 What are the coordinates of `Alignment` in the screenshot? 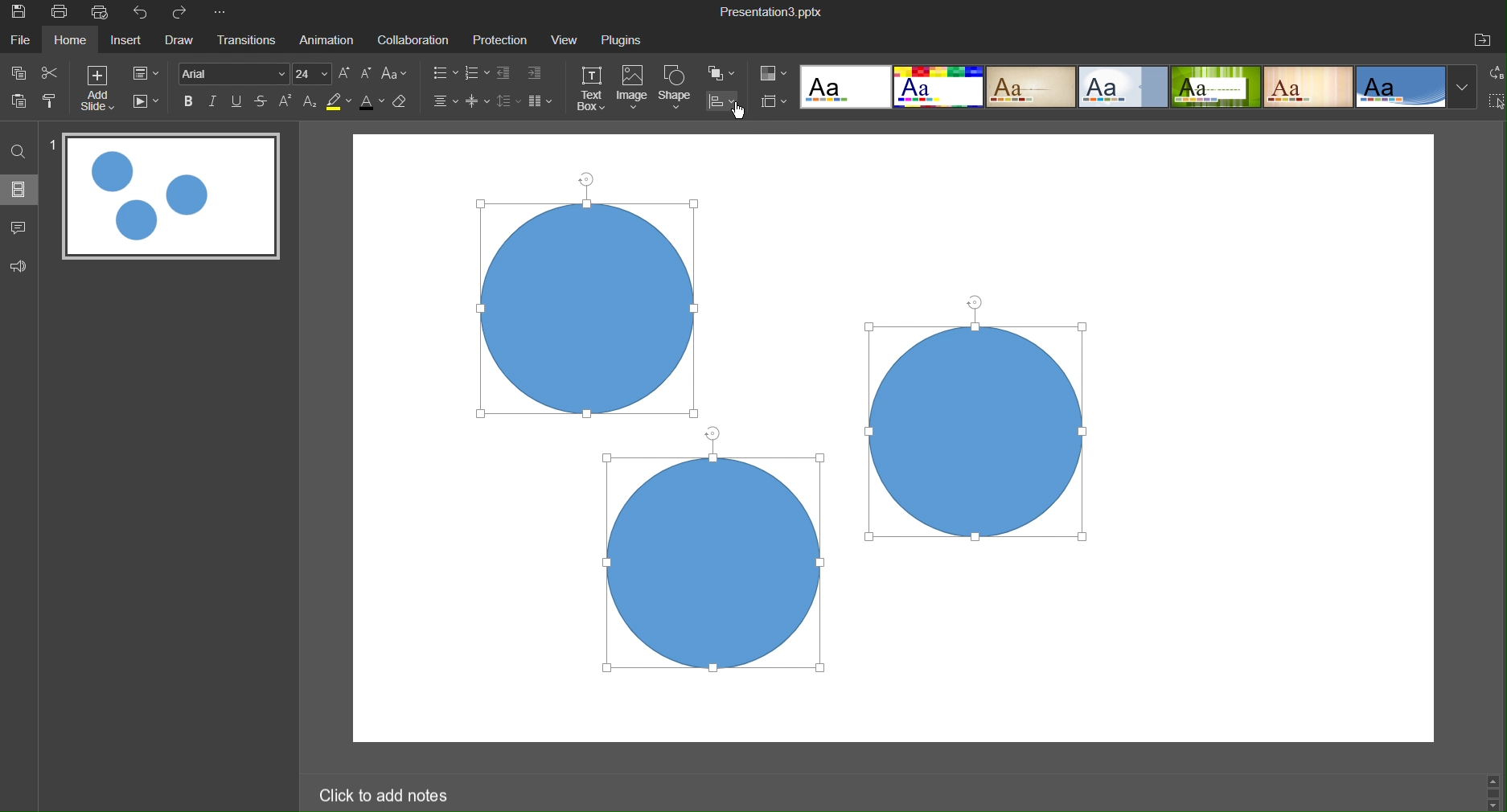 It's located at (444, 102).